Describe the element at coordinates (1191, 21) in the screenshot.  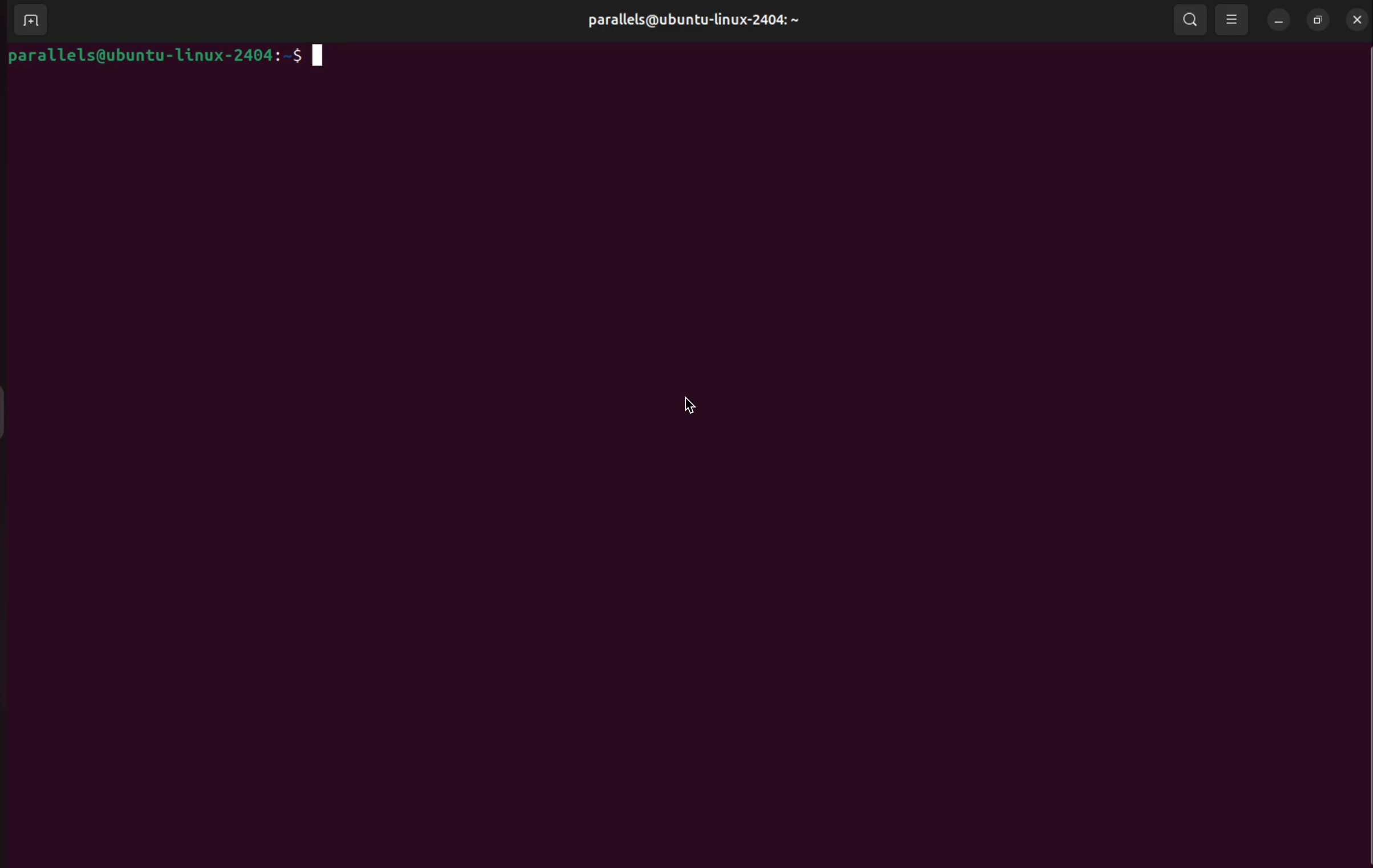
I see `search bar` at that location.